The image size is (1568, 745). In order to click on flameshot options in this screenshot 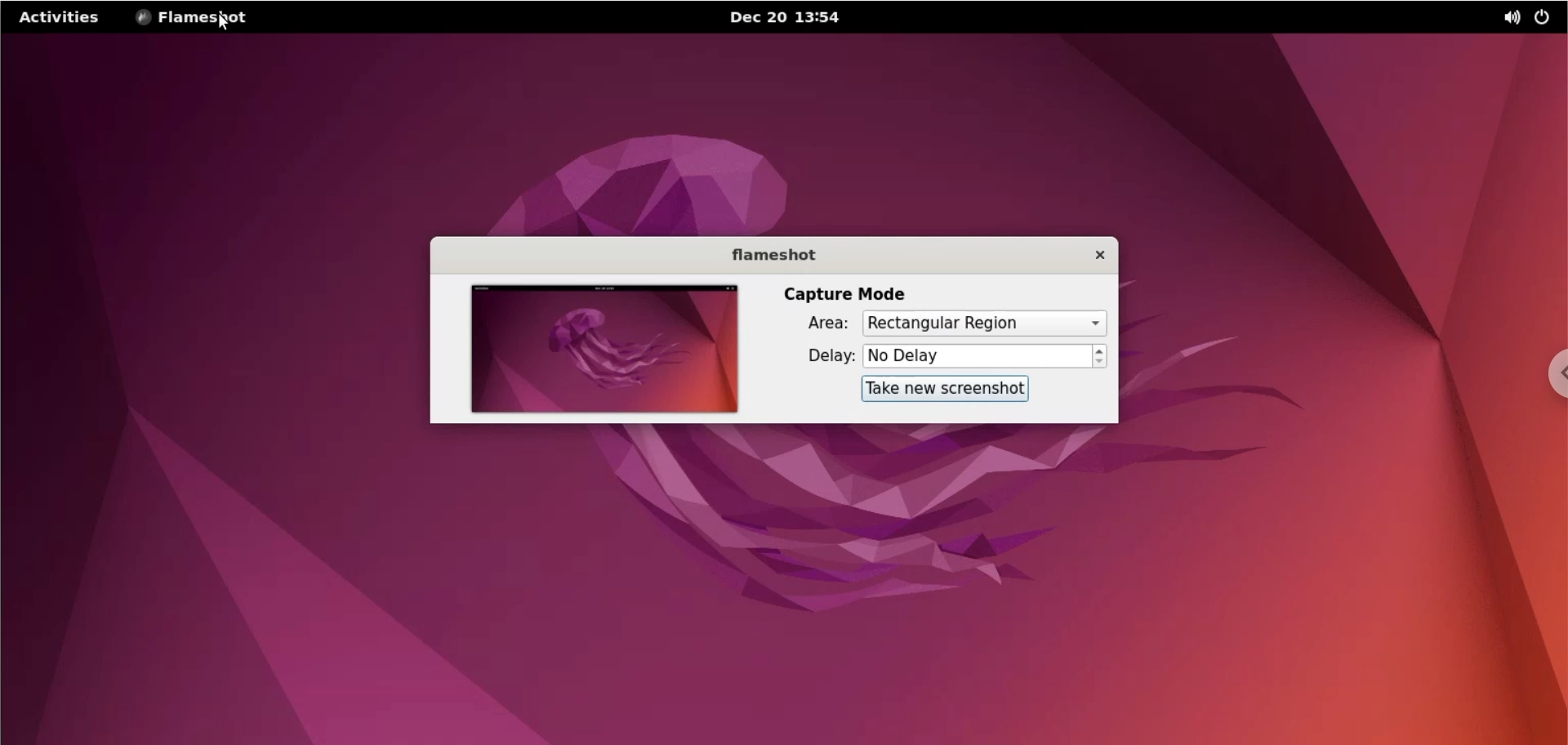, I will do `click(203, 16)`.